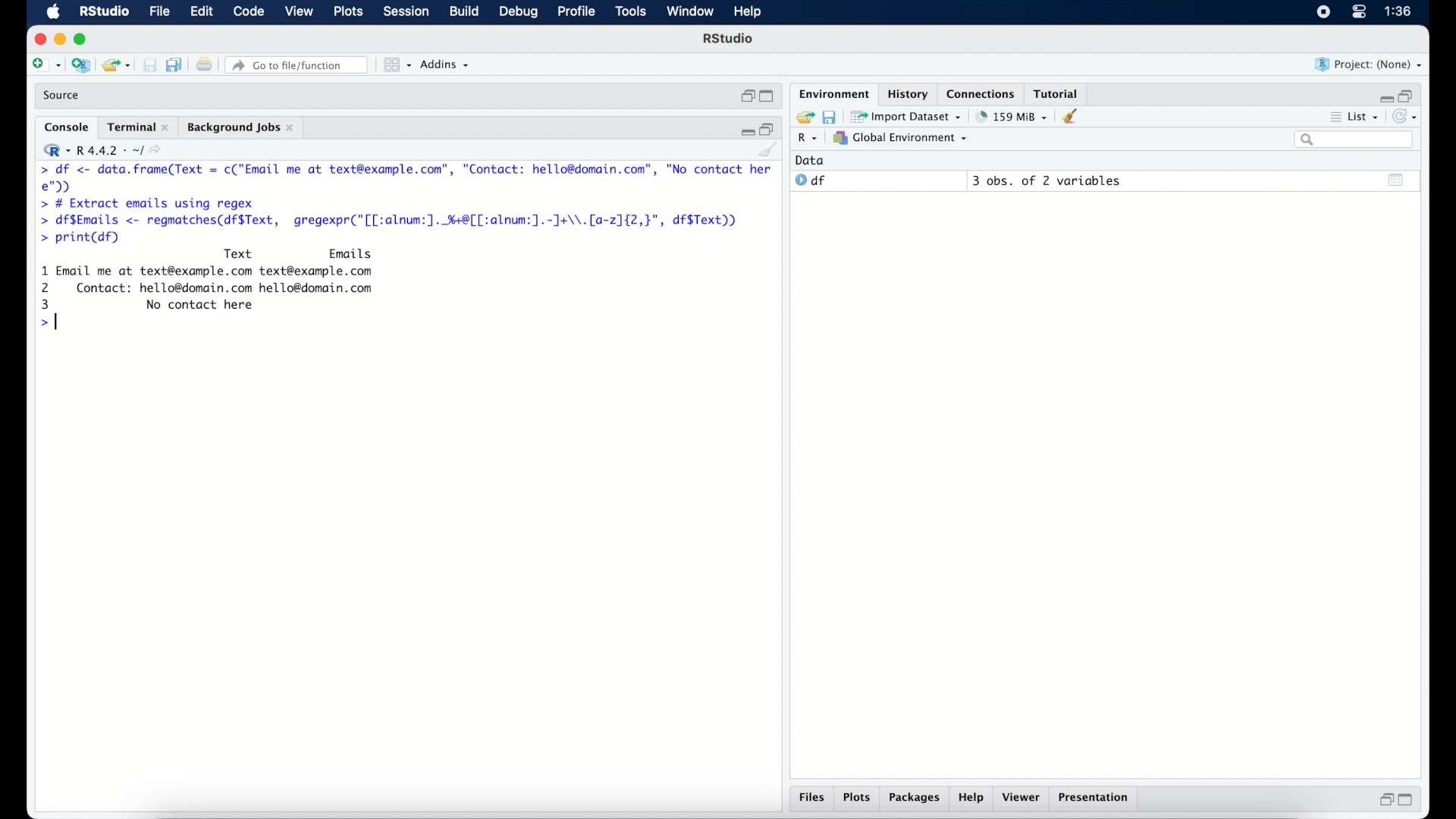 This screenshot has height=819, width=1456. I want to click on maximize, so click(82, 39).